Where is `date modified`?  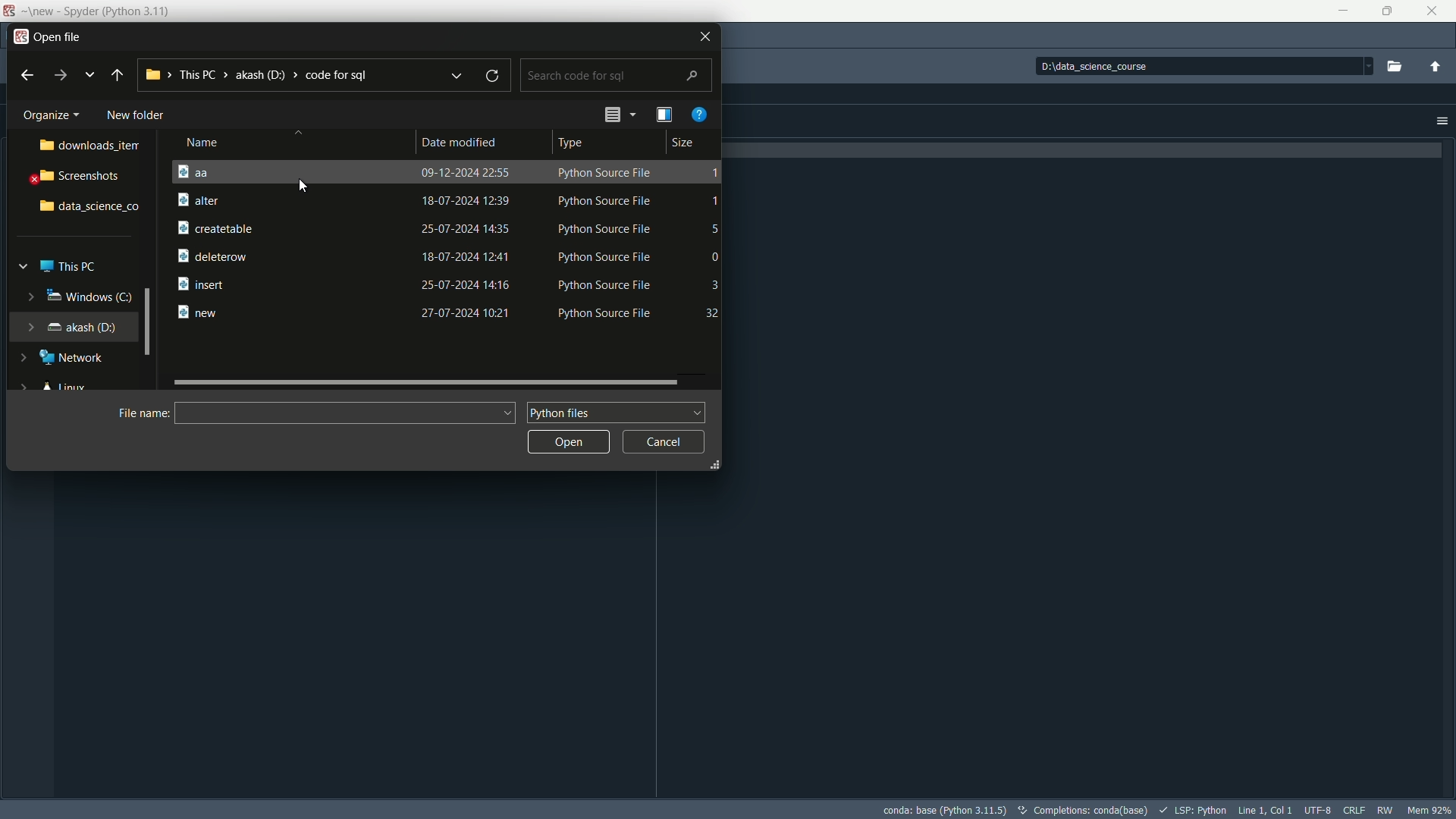 date modified is located at coordinates (462, 143).